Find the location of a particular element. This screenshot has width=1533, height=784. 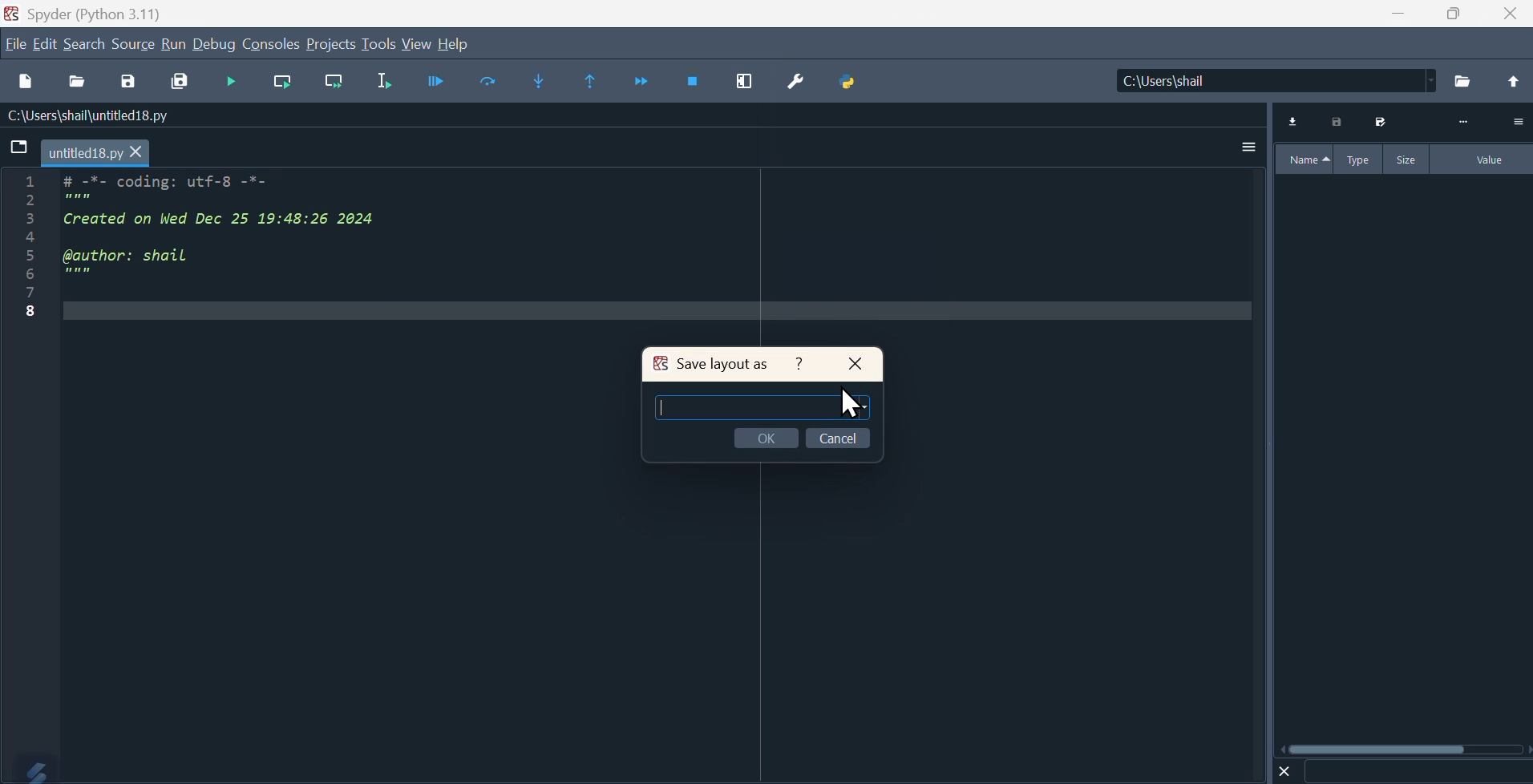

Logo is located at coordinates (30, 769).